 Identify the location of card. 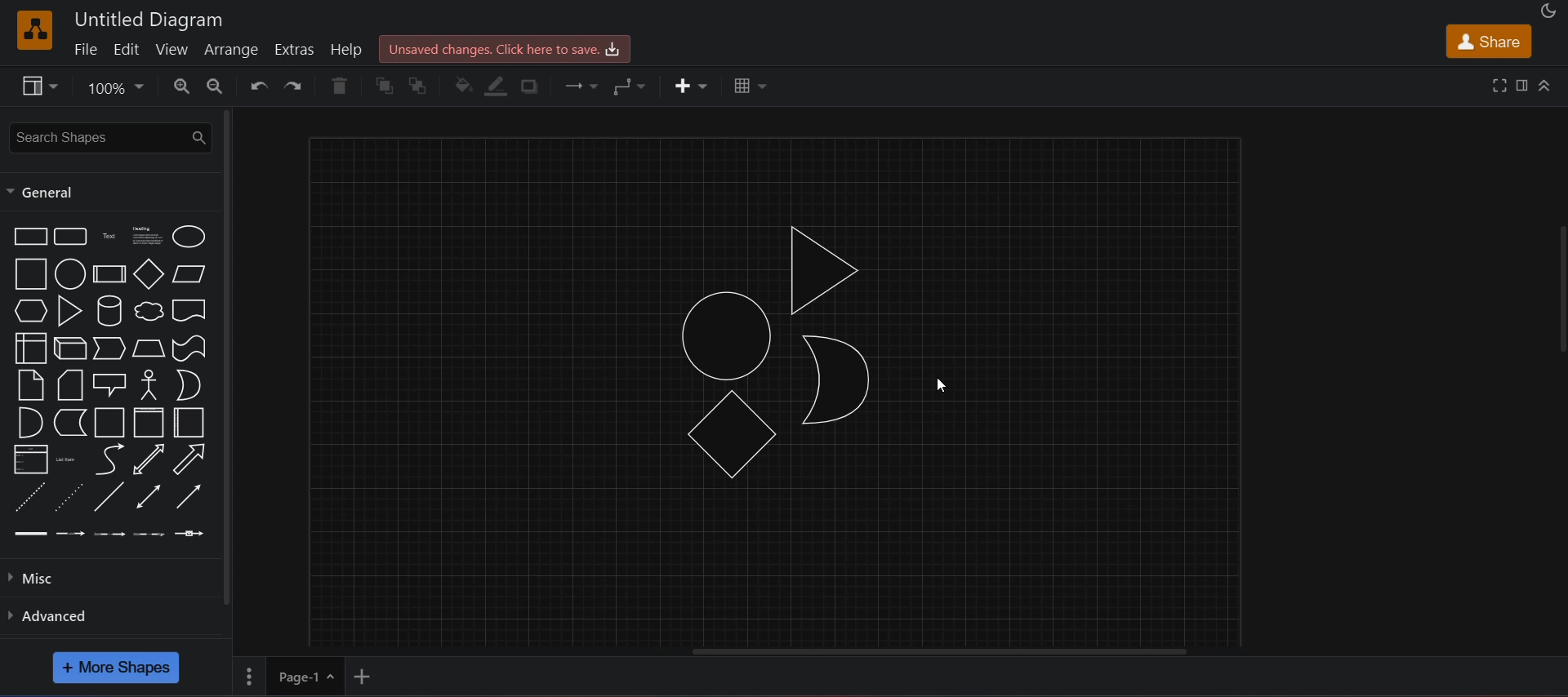
(68, 385).